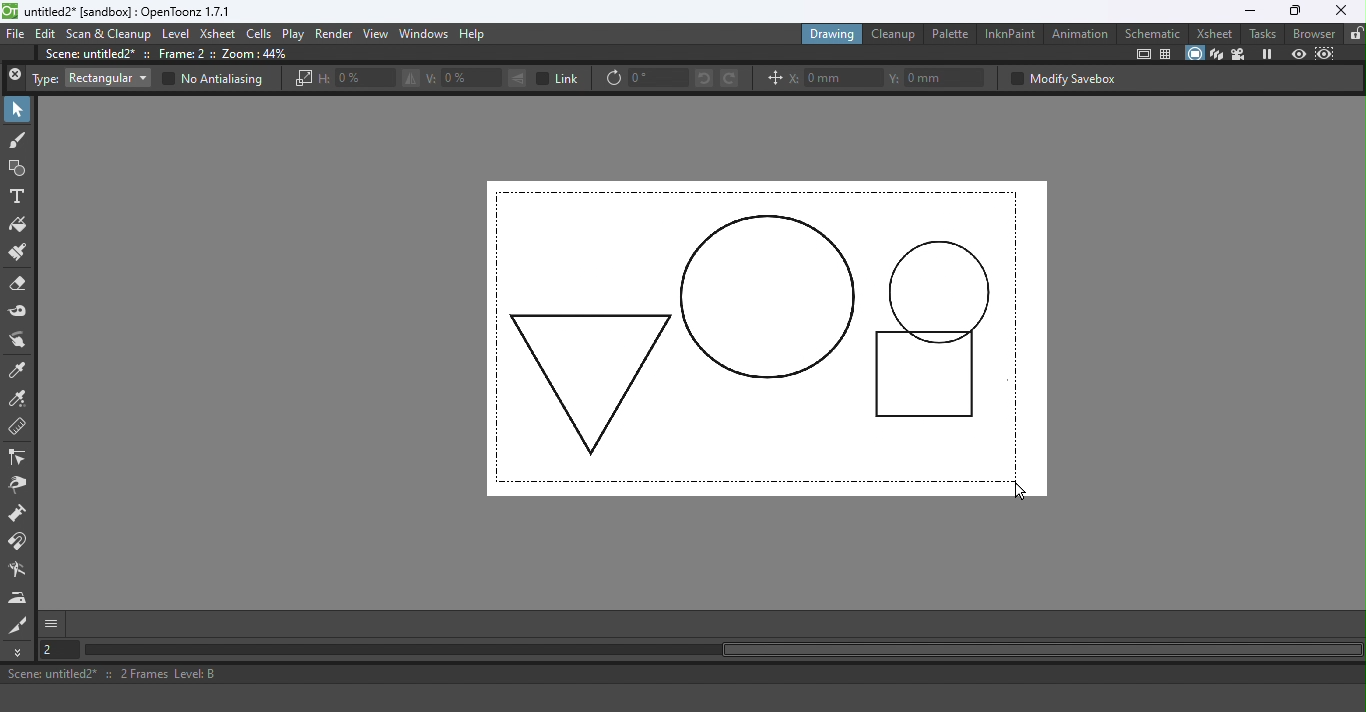  Describe the element at coordinates (356, 78) in the screenshot. I see `H: 0%` at that location.